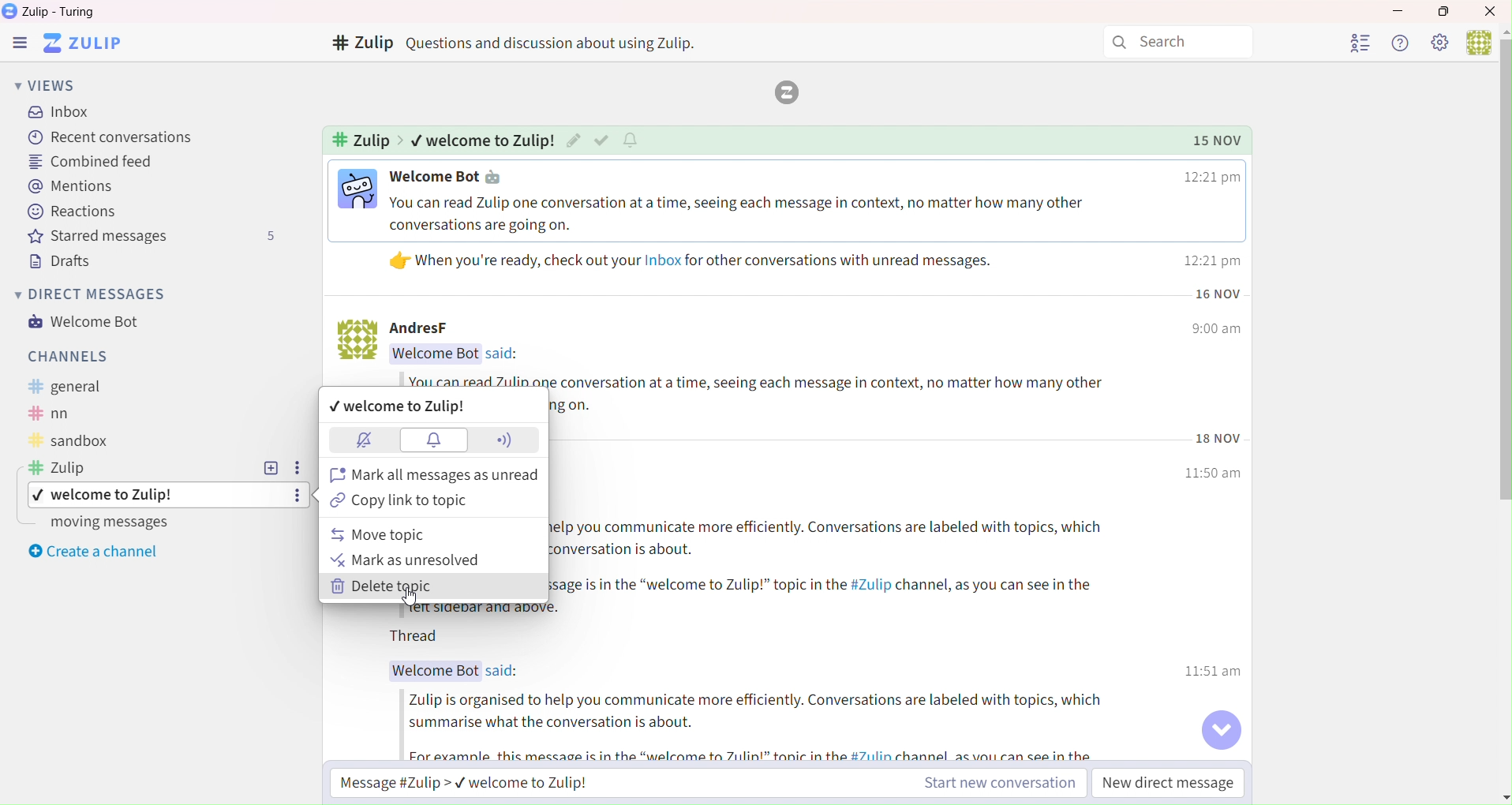 The width and height of the screenshot is (1512, 805). What do you see at coordinates (422, 636) in the screenshot?
I see `Text` at bounding box center [422, 636].